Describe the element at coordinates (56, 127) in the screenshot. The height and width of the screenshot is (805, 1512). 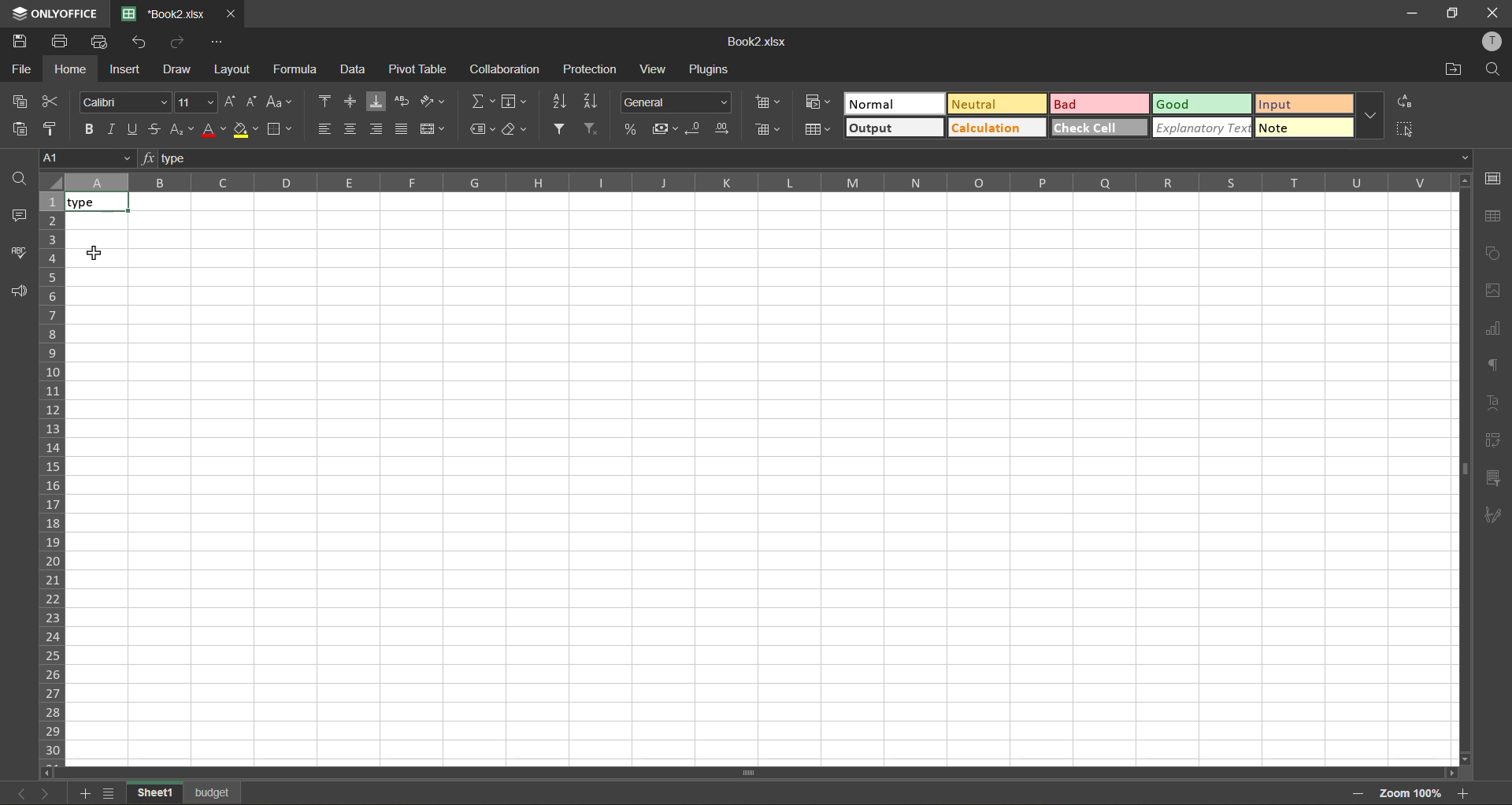
I see `copy style` at that location.